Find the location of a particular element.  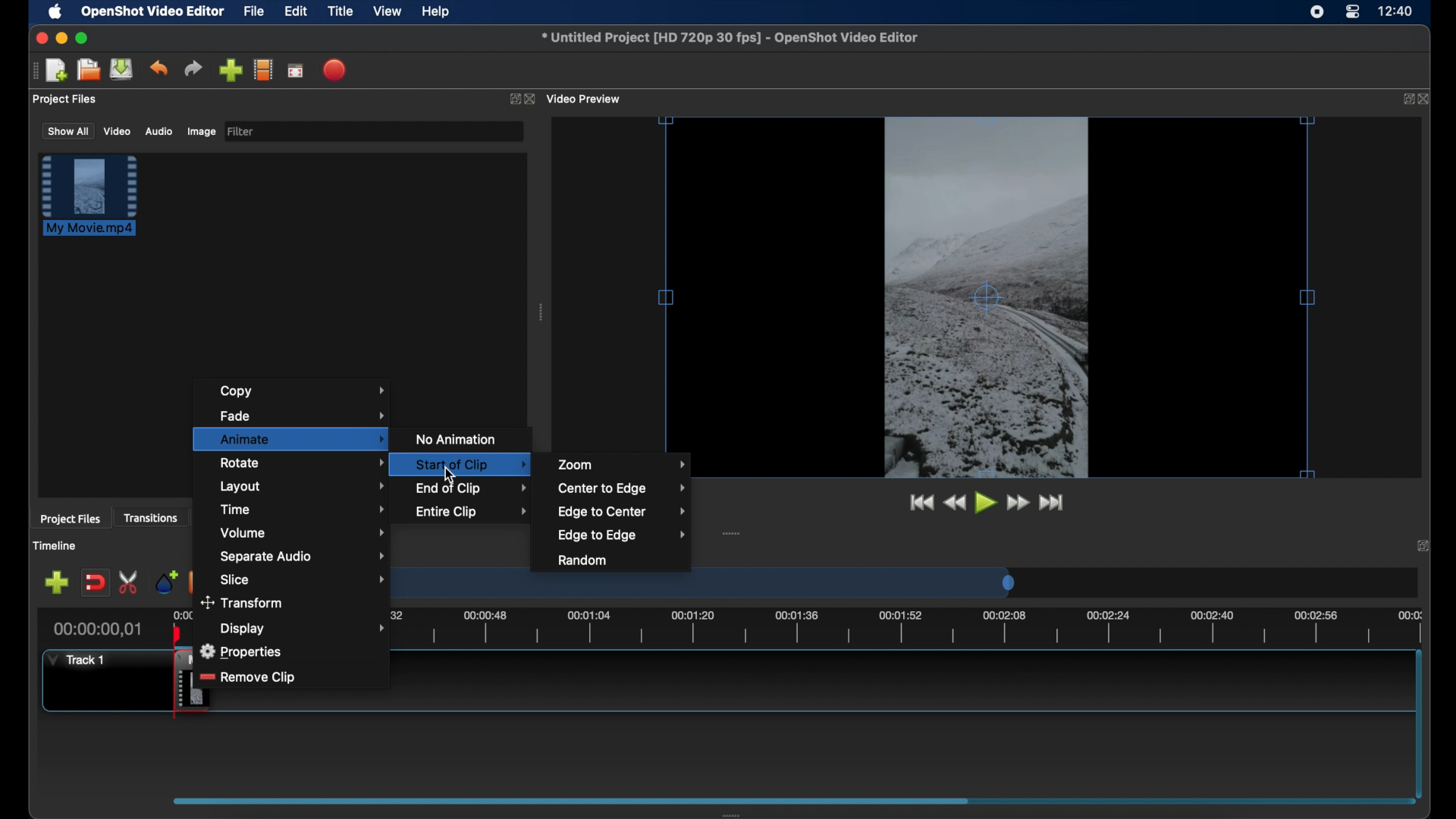

play button is located at coordinates (987, 504).